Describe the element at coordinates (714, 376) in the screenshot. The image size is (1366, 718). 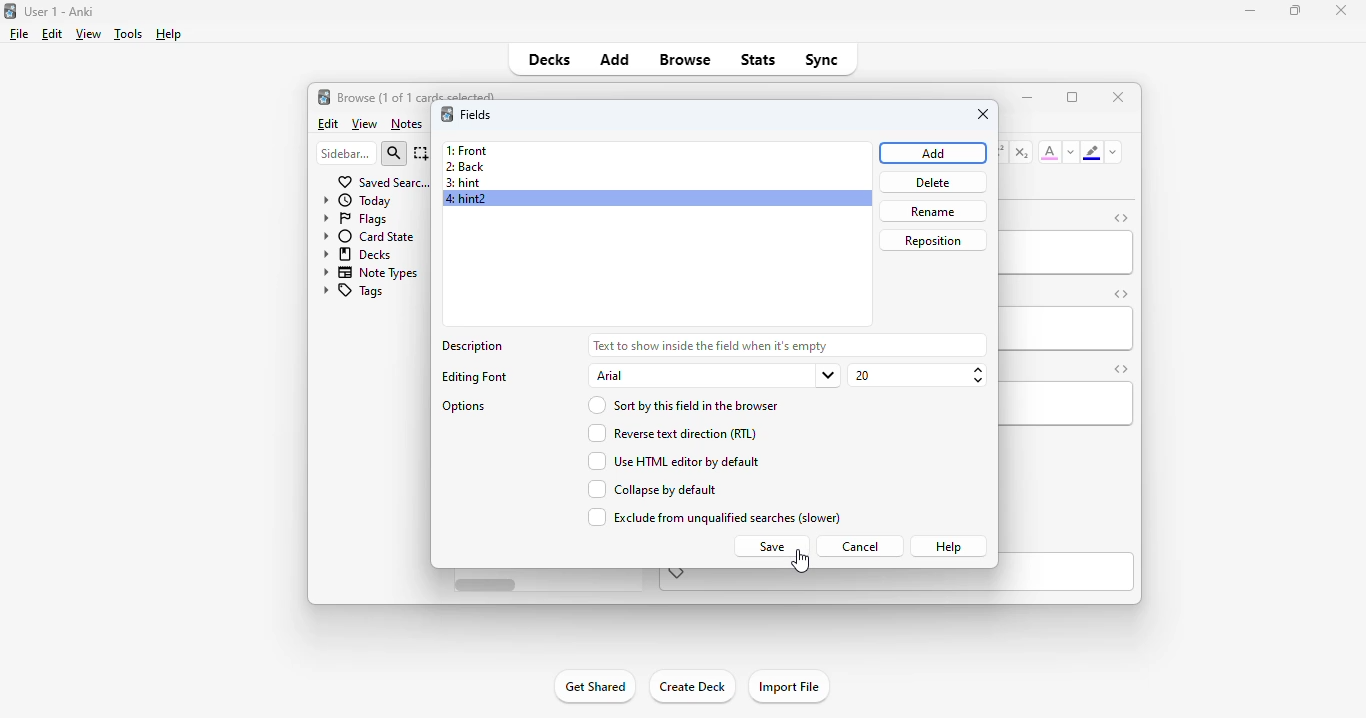
I see `arial` at that location.